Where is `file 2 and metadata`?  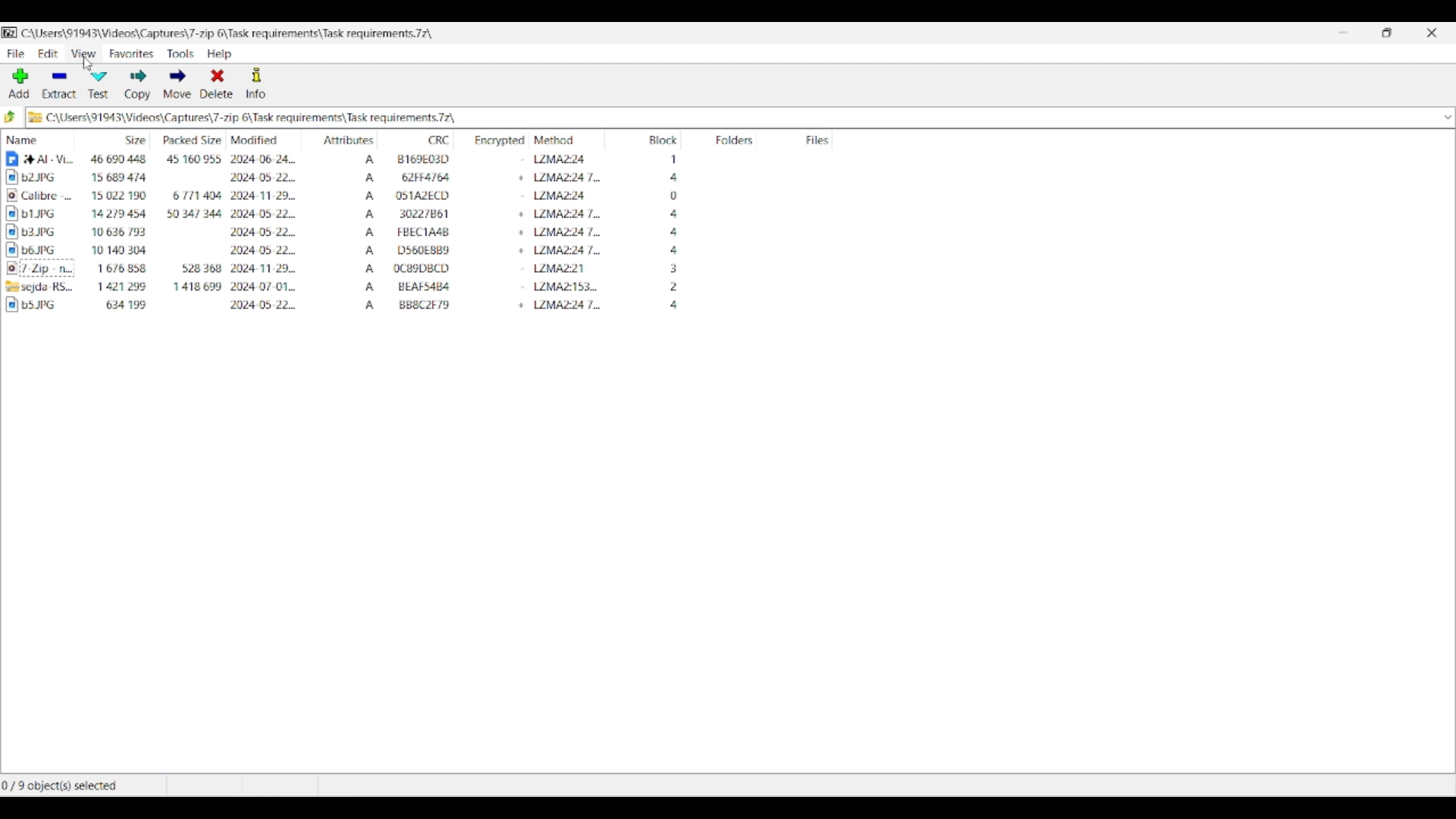 file 2 and metadata is located at coordinates (416, 178).